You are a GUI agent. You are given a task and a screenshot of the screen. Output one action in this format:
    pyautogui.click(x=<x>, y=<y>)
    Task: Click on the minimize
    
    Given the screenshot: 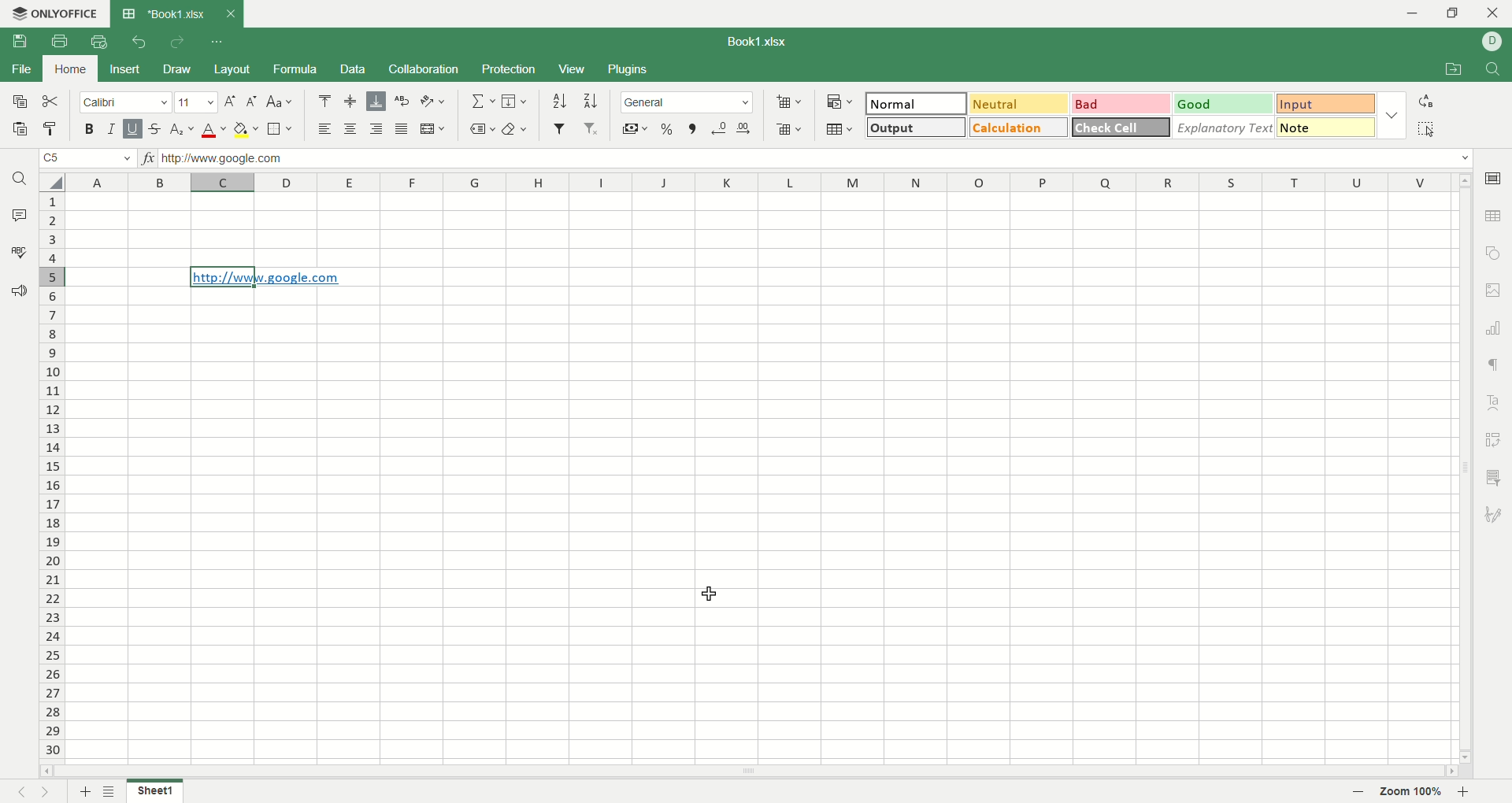 What is the action you would take?
    pyautogui.click(x=1406, y=13)
    